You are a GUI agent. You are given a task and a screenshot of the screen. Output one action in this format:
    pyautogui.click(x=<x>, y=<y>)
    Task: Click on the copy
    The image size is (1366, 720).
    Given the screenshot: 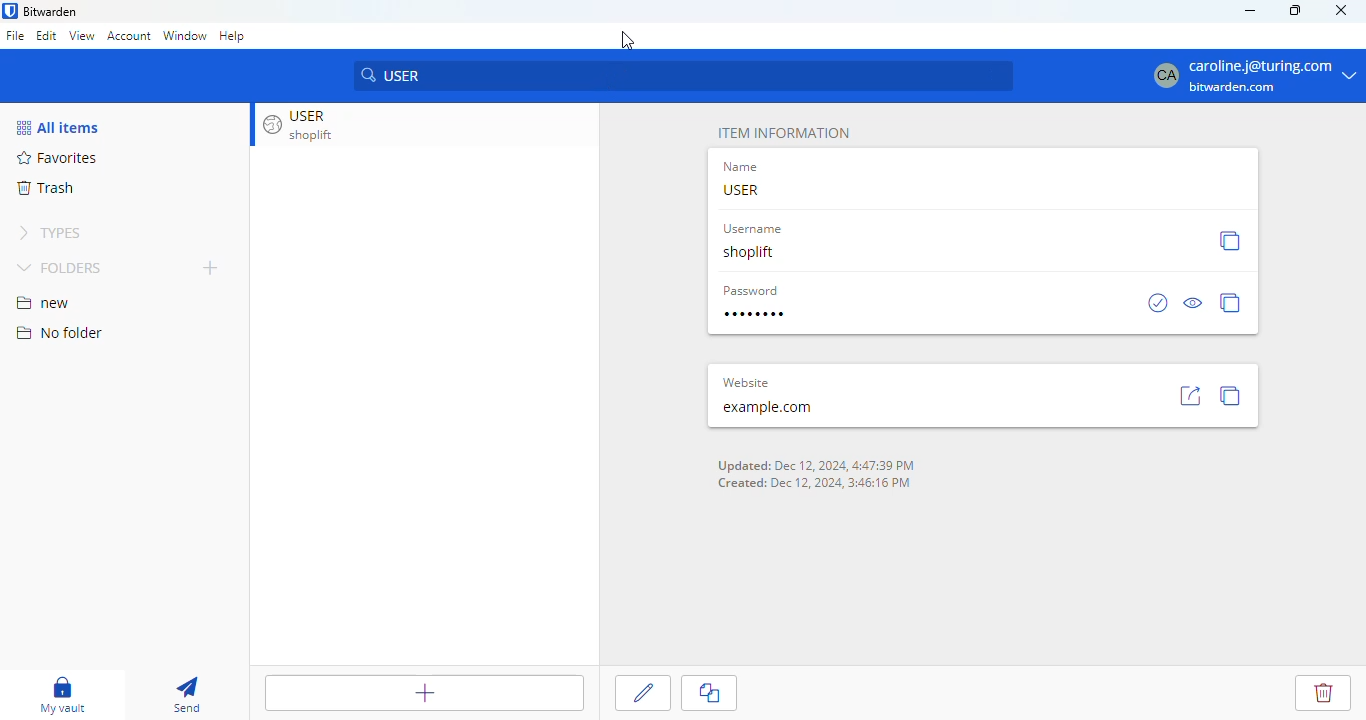 What is the action you would take?
    pyautogui.click(x=708, y=693)
    